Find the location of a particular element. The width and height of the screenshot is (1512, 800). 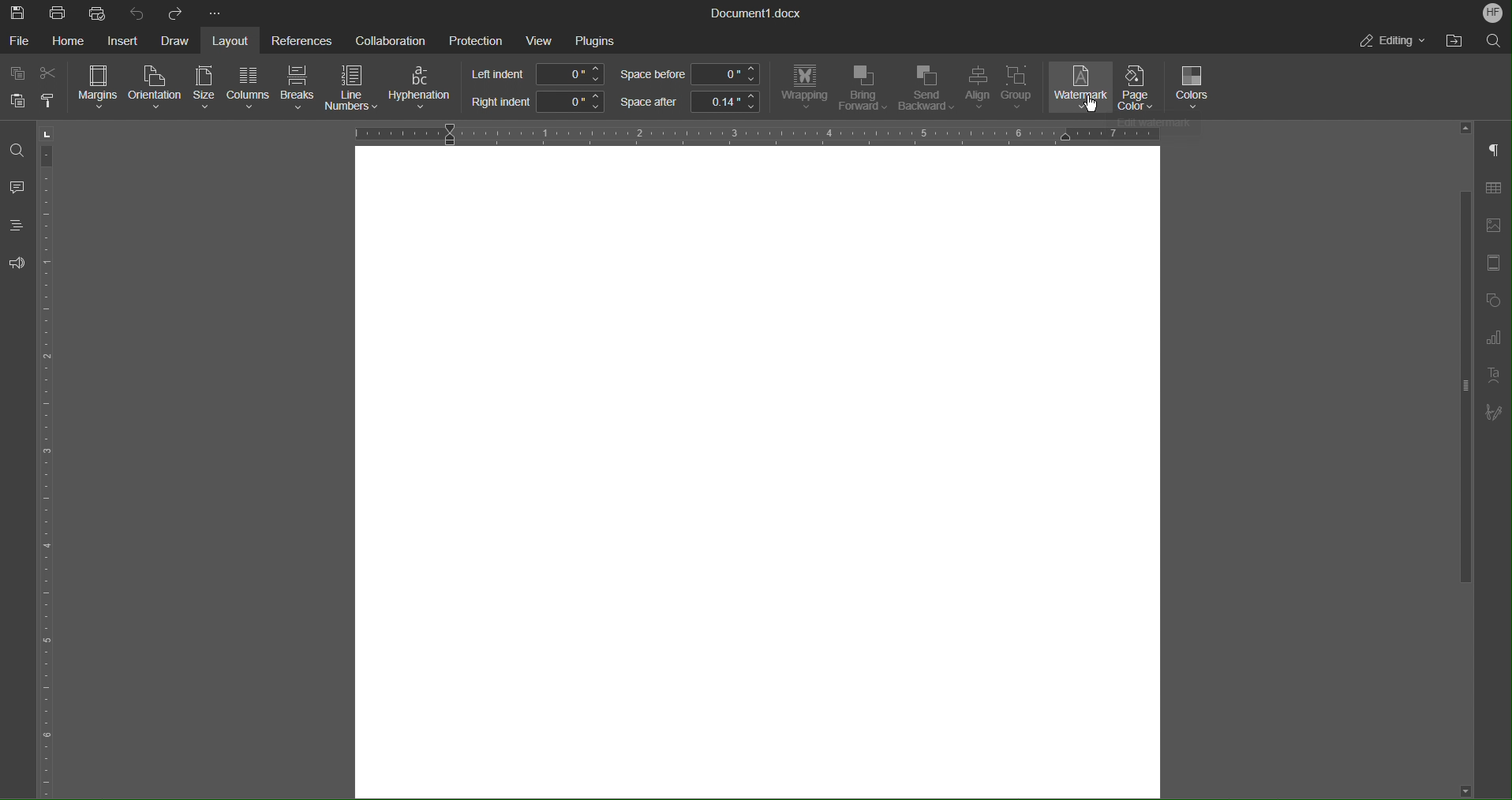

Shape Menu is located at coordinates (1491, 302).